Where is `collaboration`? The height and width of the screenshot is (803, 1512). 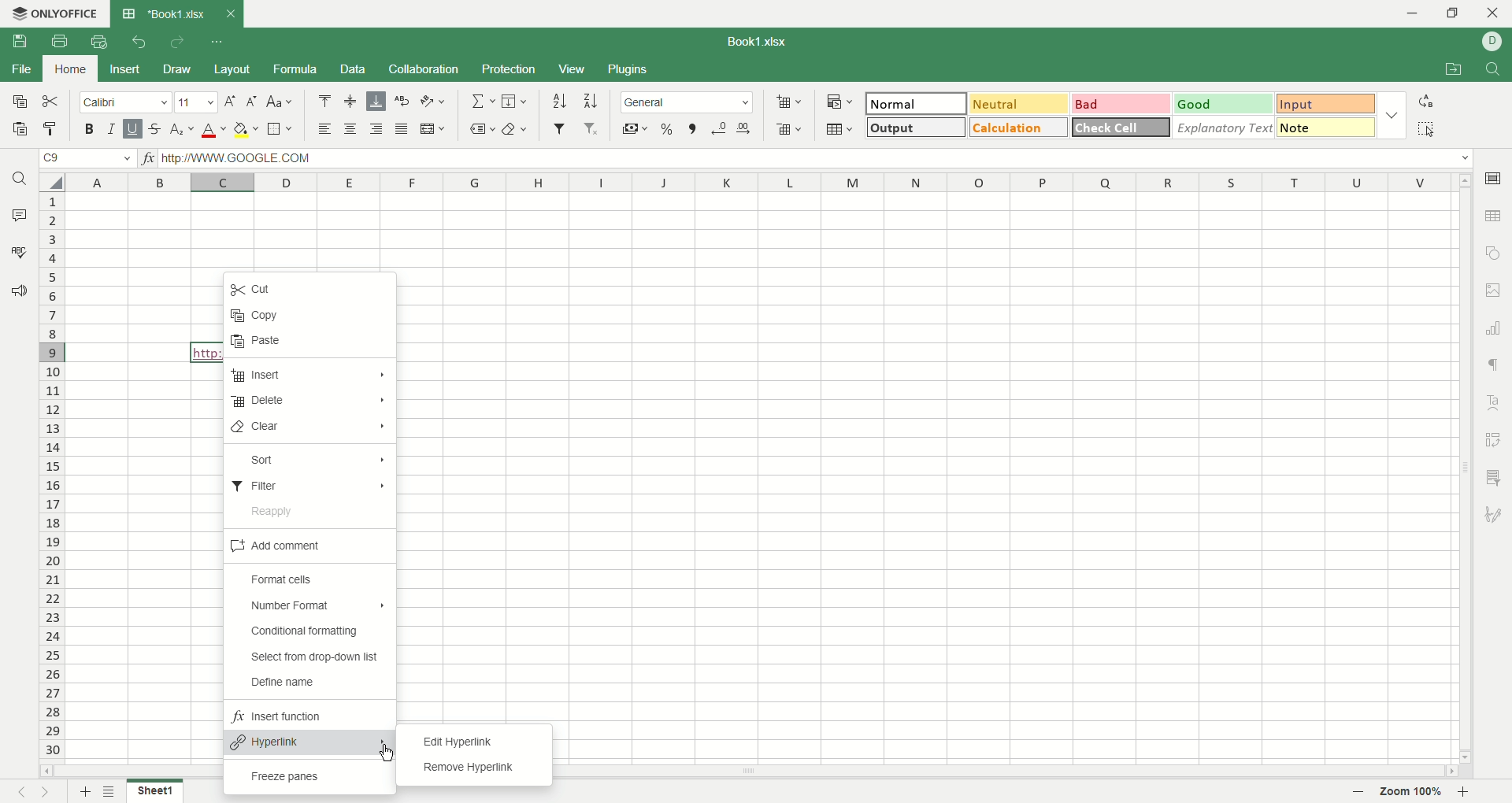
collaboration is located at coordinates (425, 68).